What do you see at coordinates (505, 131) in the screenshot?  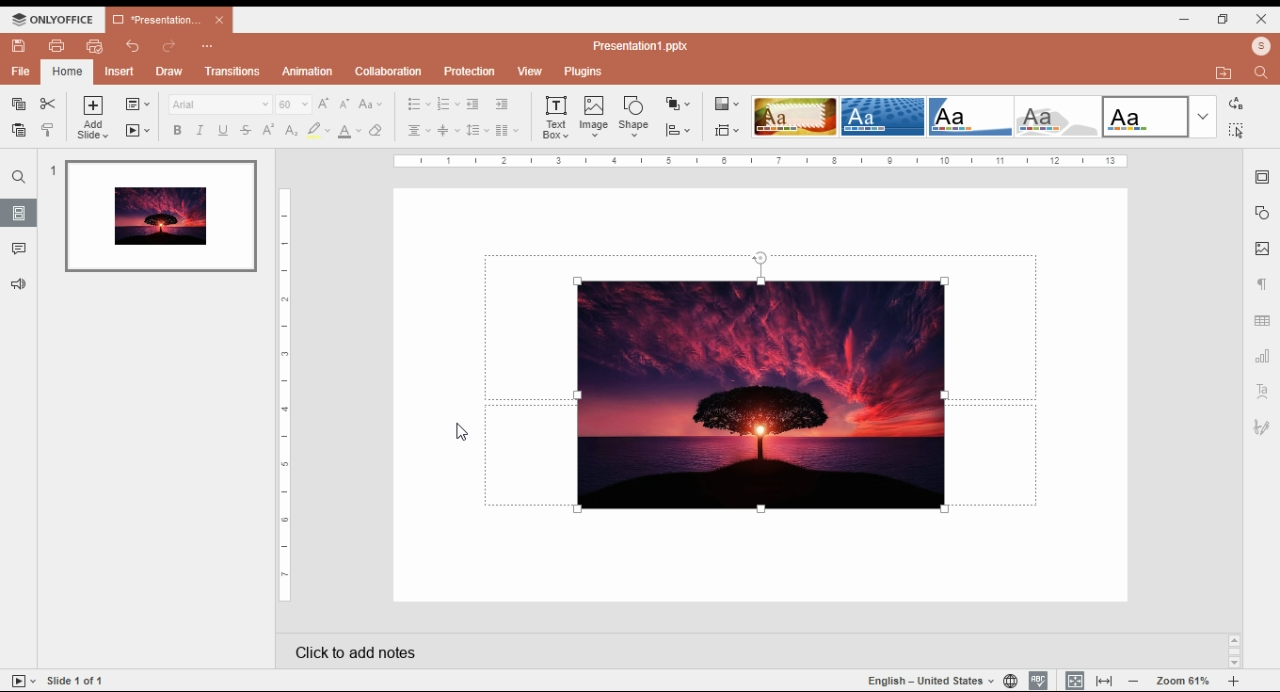 I see `insert columns` at bounding box center [505, 131].